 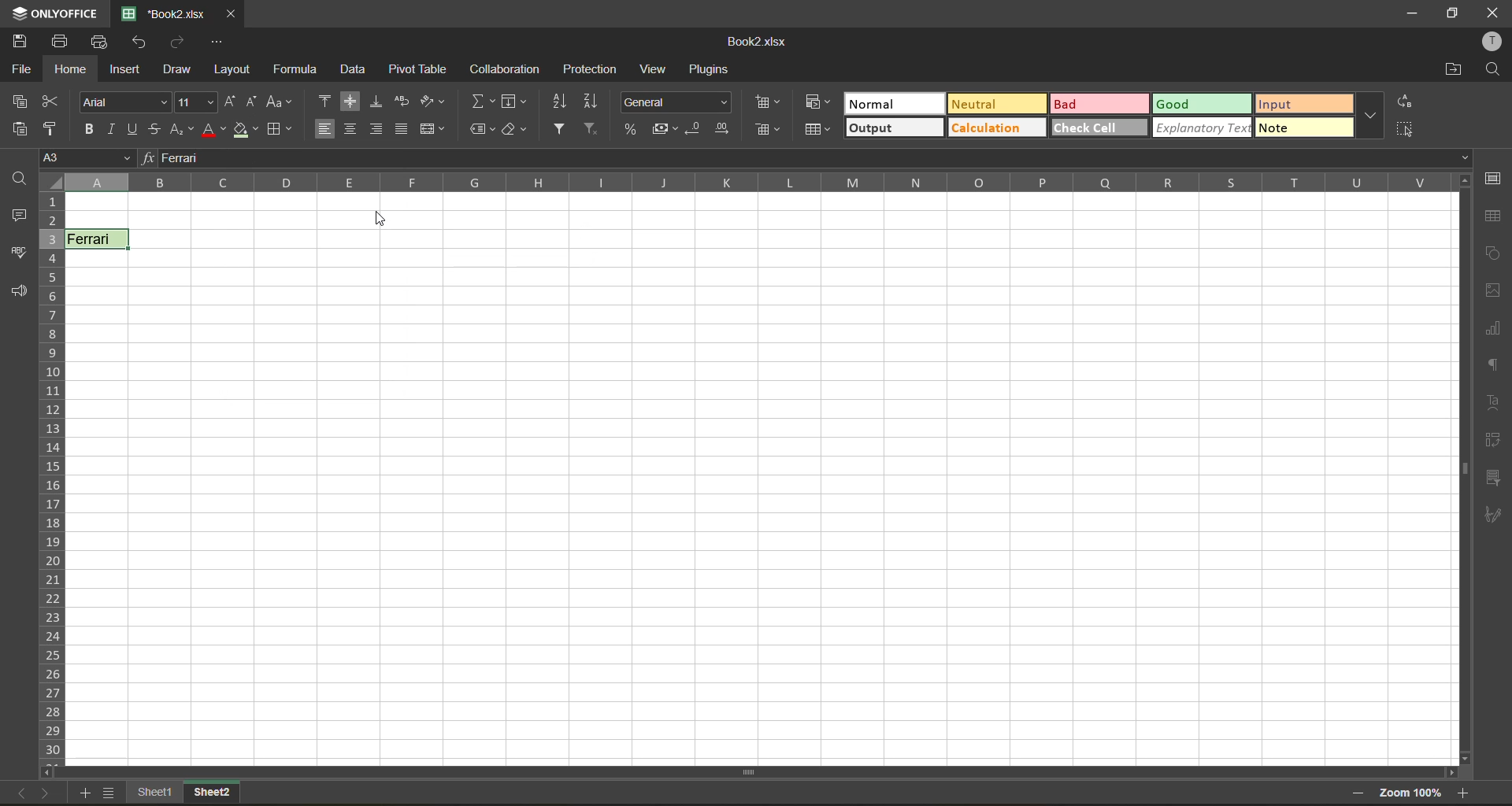 I want to click on percent, so click(x=628, y=128).